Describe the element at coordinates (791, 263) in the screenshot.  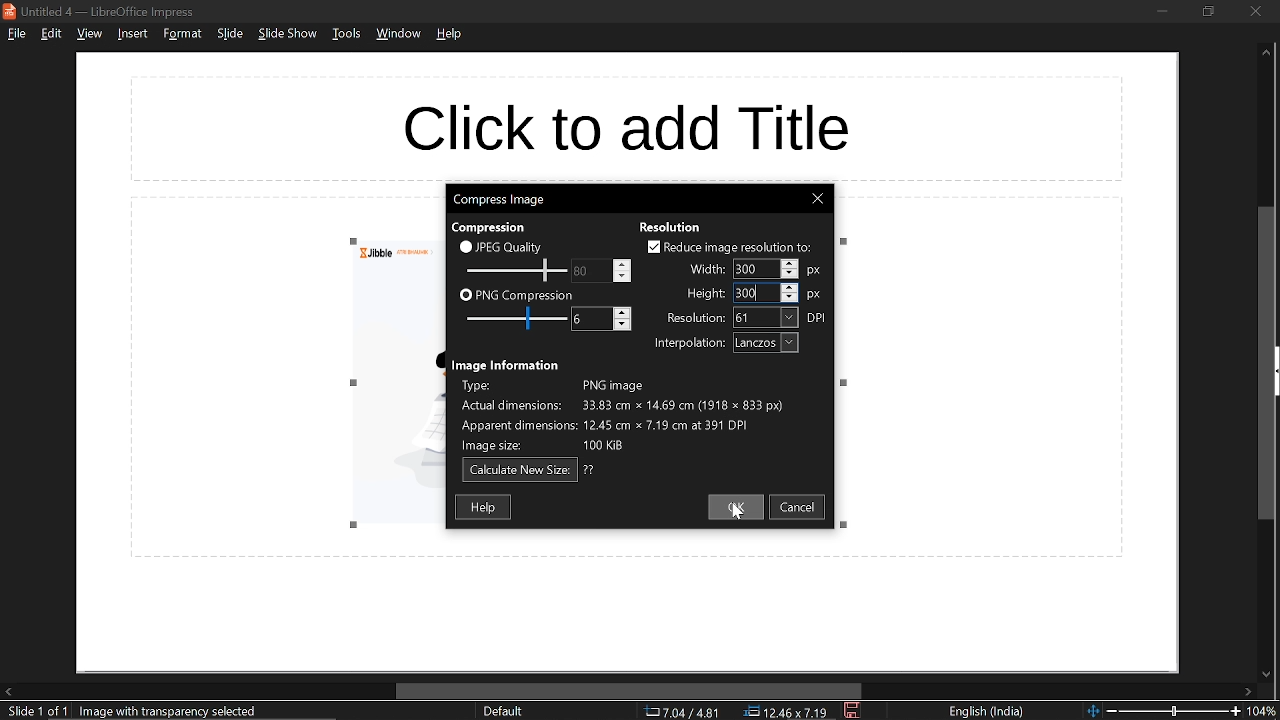
I see `Increase ` at that location.